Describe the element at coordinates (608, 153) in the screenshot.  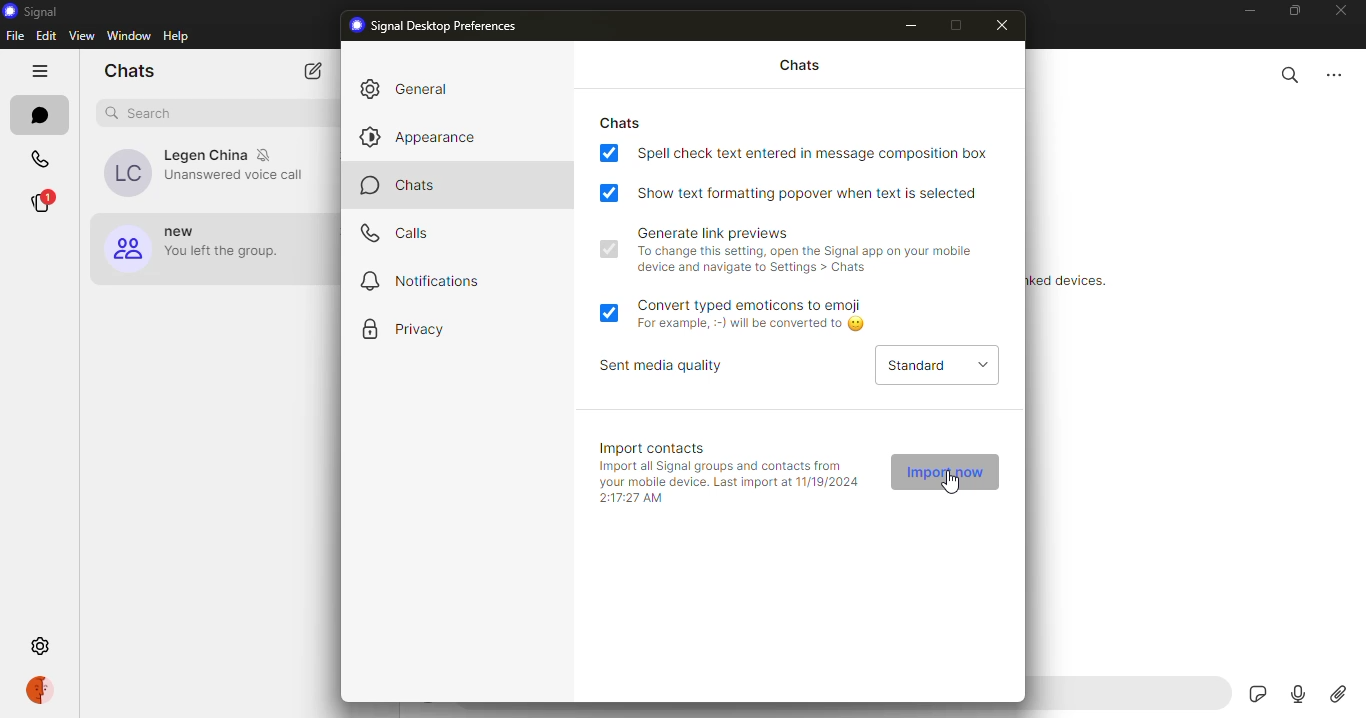
I see `enabled` at that location.